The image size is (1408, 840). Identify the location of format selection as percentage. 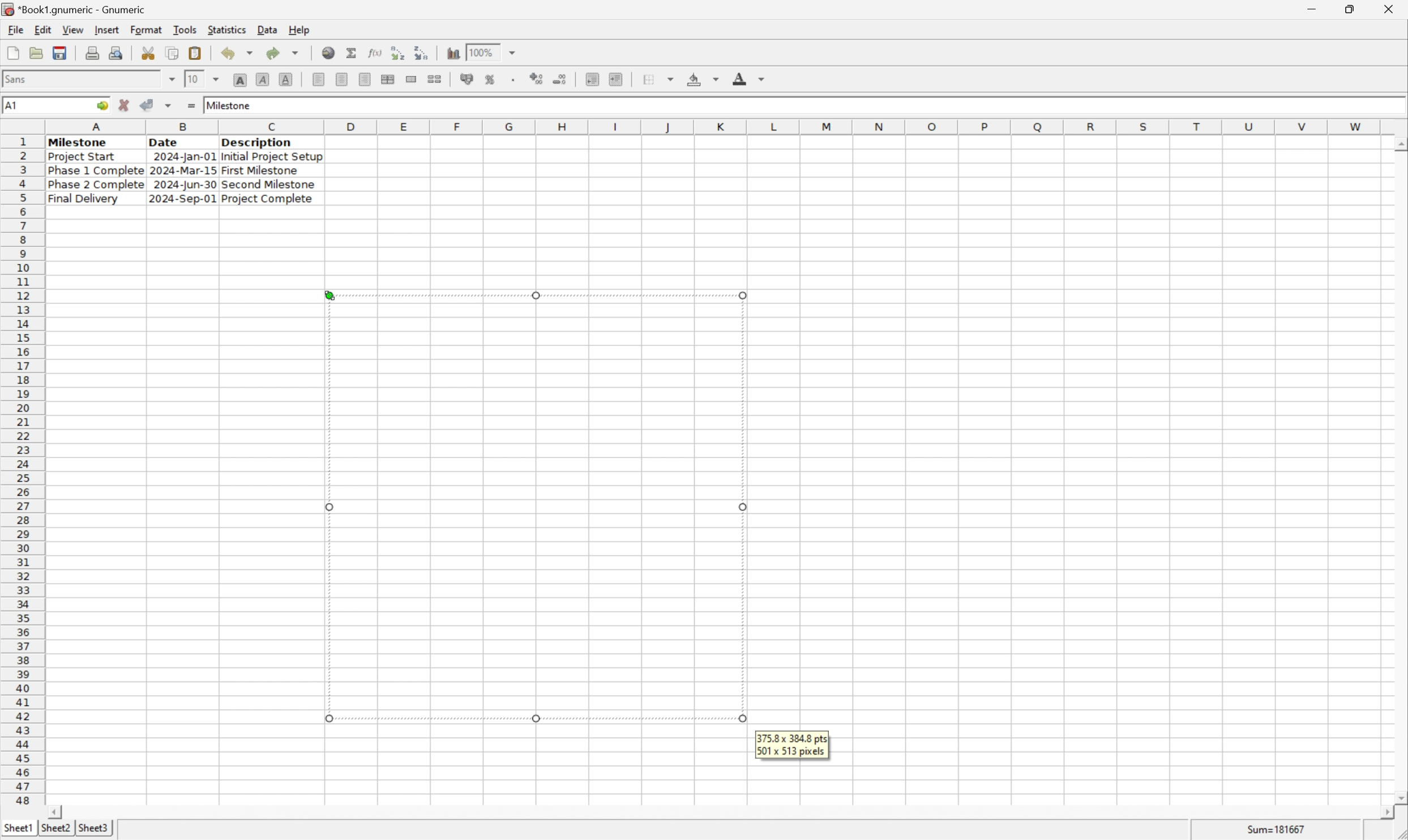
(491, 79).